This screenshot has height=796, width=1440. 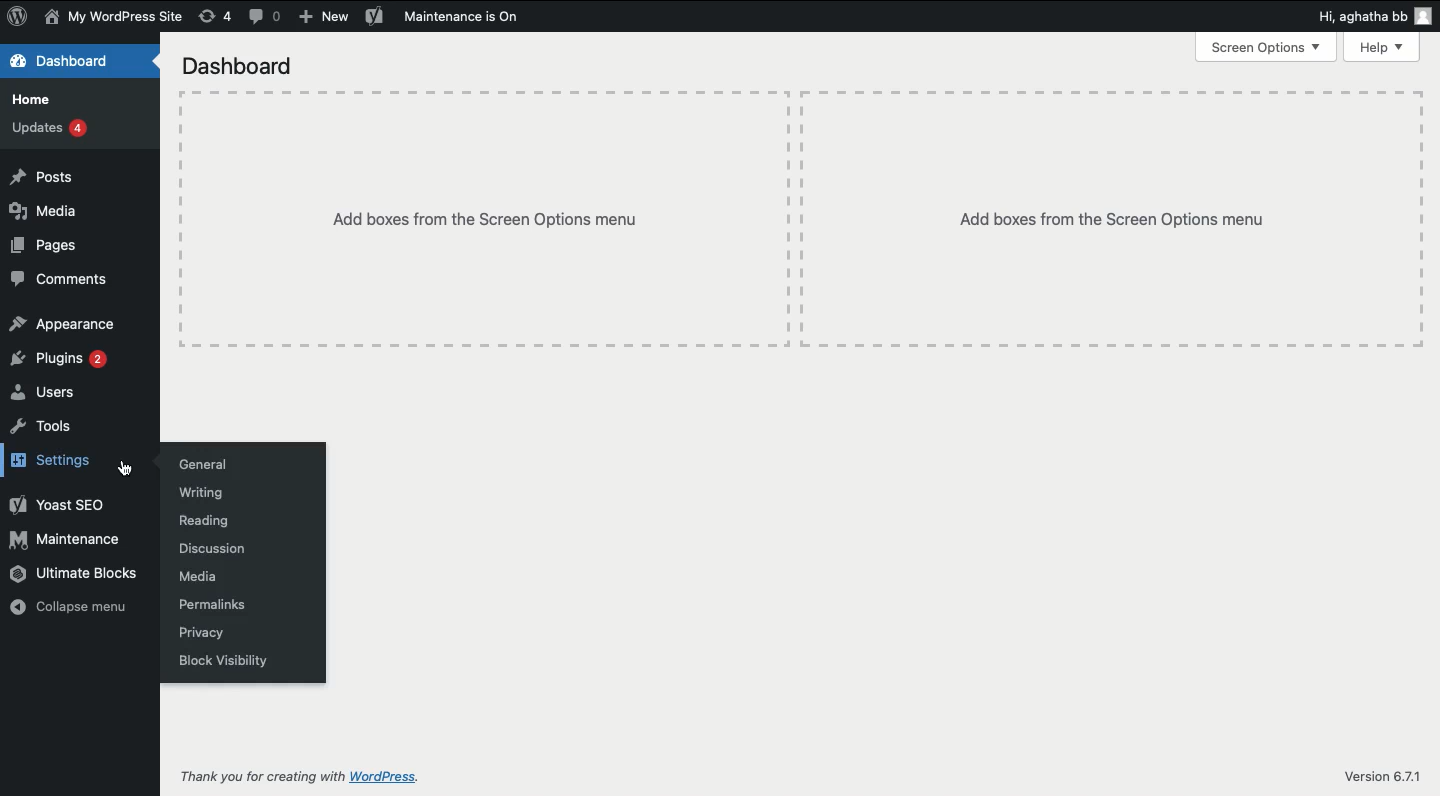 What do you see at coordinates (69, 541) in the screenshot?
I see `maintenance ` at bounding box center [69, 541].